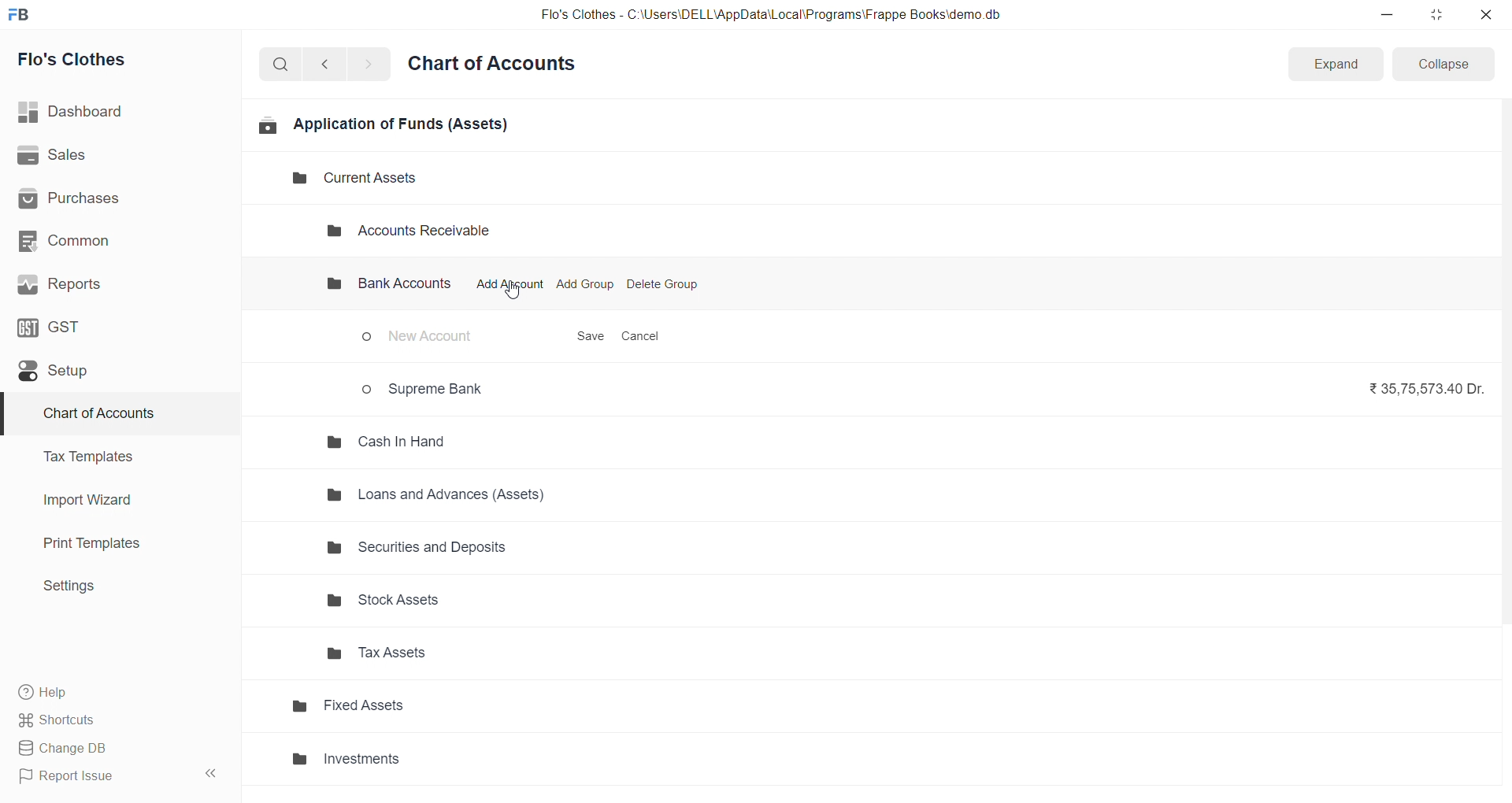 The width and height of the screenshot is (1512, 803). Describe the element at coordinates (116, 112) in the screenshot. I see `Dashboard` at that location.